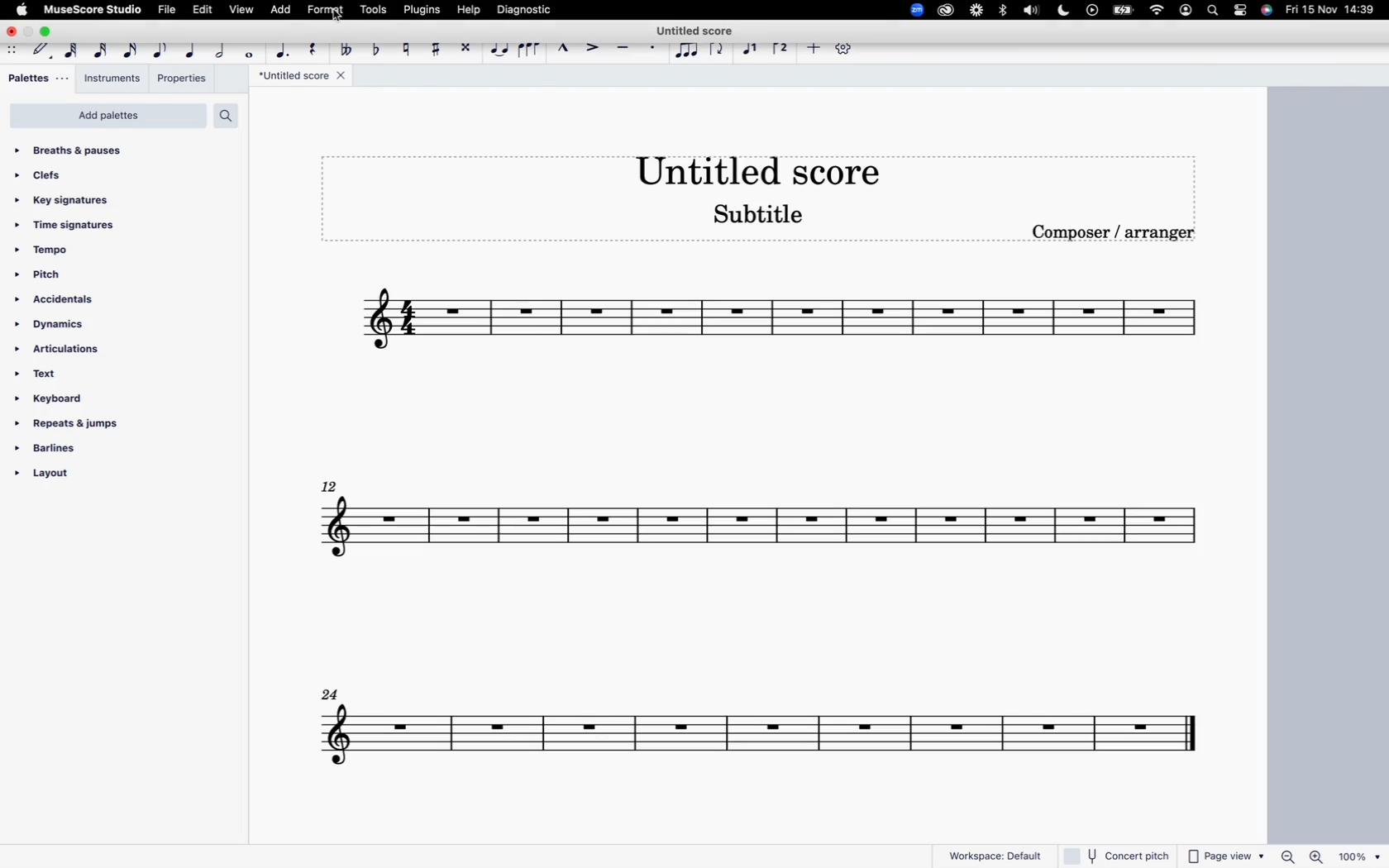 The height and width of the screenshot is (868, 1389). I want to click on Untitled score, so click(696, 26).